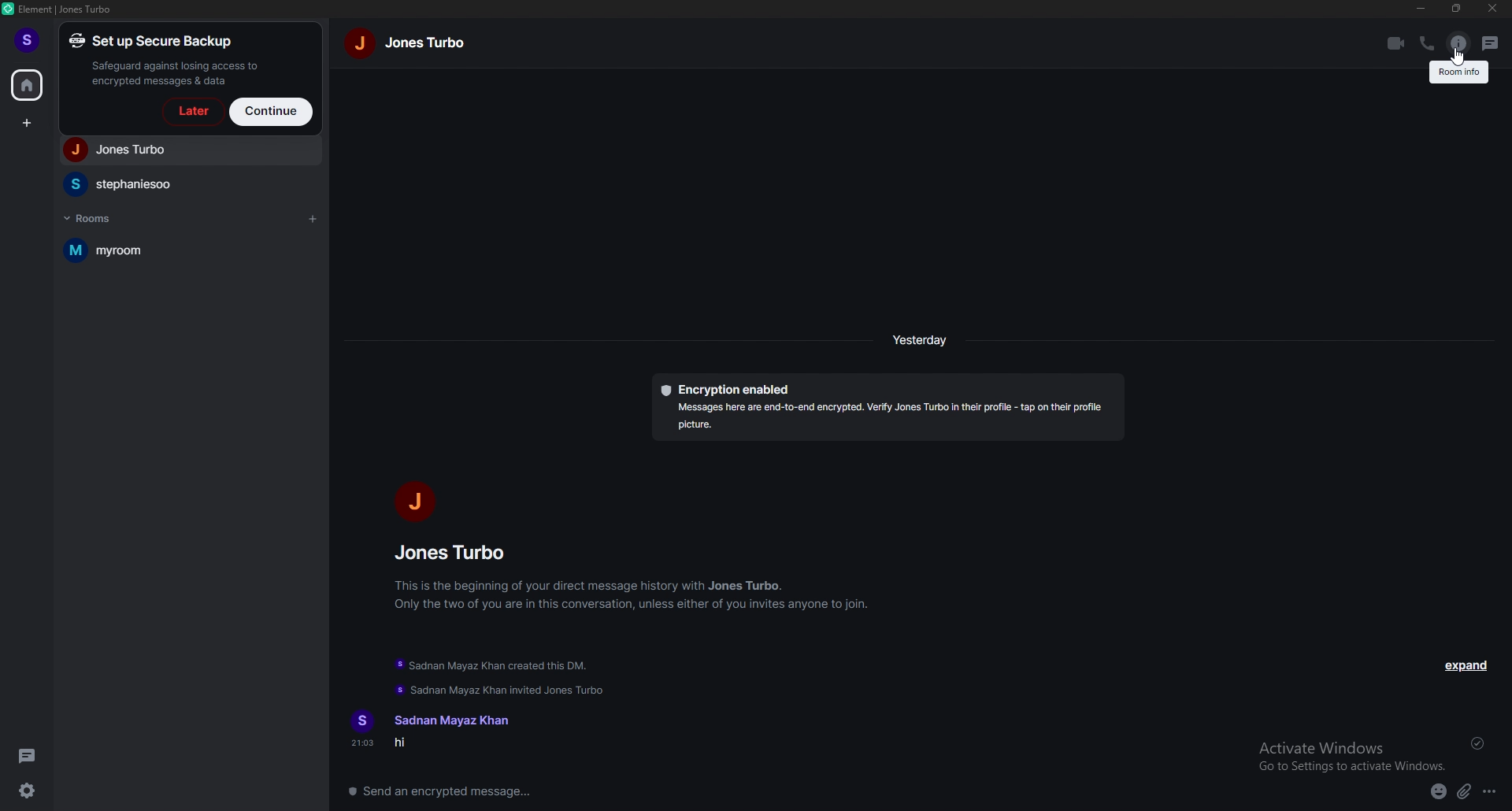 The width and height of the screenshot is (1512, 811). I want to click on people, so click(188, 184).